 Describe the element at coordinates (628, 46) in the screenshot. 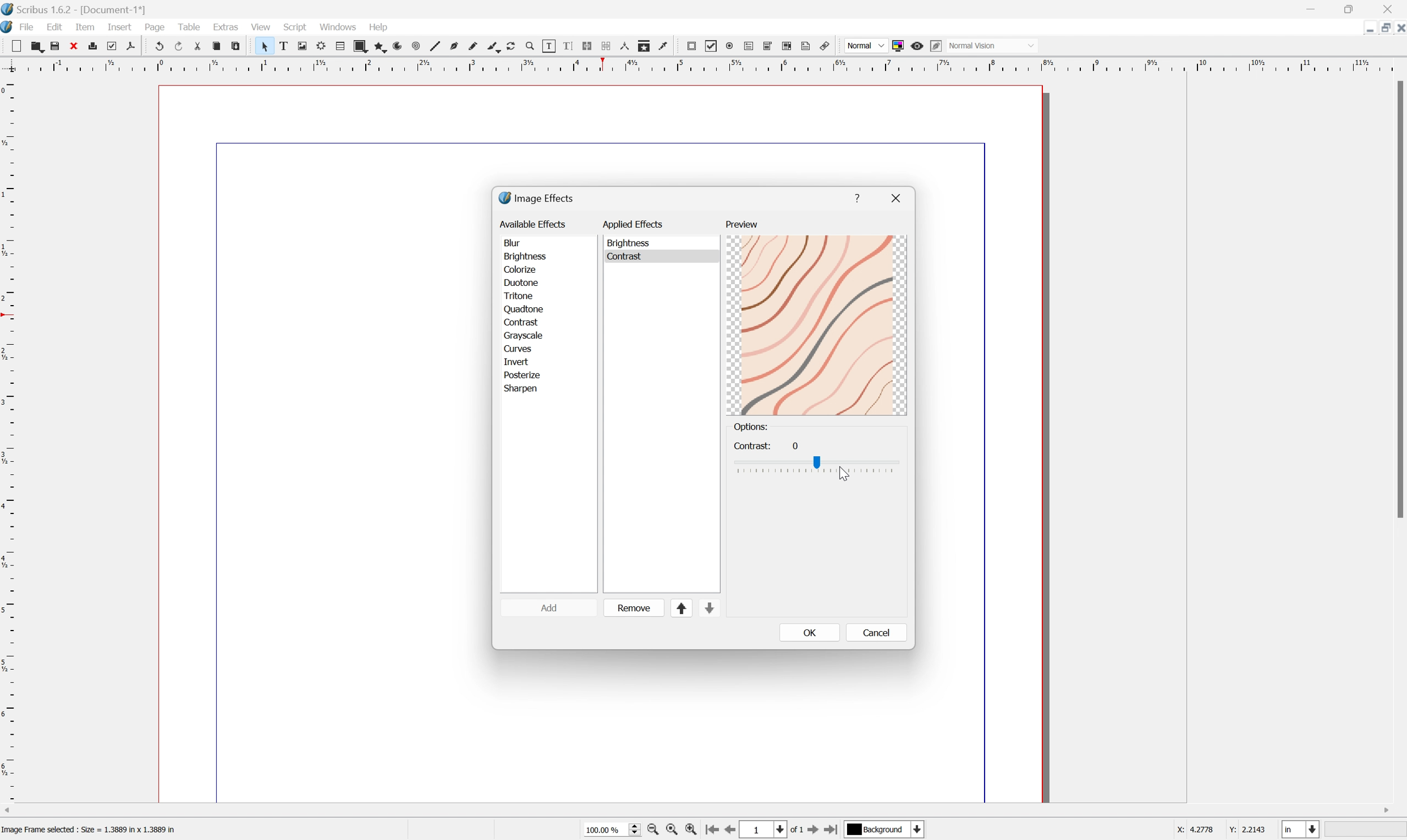

I see `Measurements` at that location.